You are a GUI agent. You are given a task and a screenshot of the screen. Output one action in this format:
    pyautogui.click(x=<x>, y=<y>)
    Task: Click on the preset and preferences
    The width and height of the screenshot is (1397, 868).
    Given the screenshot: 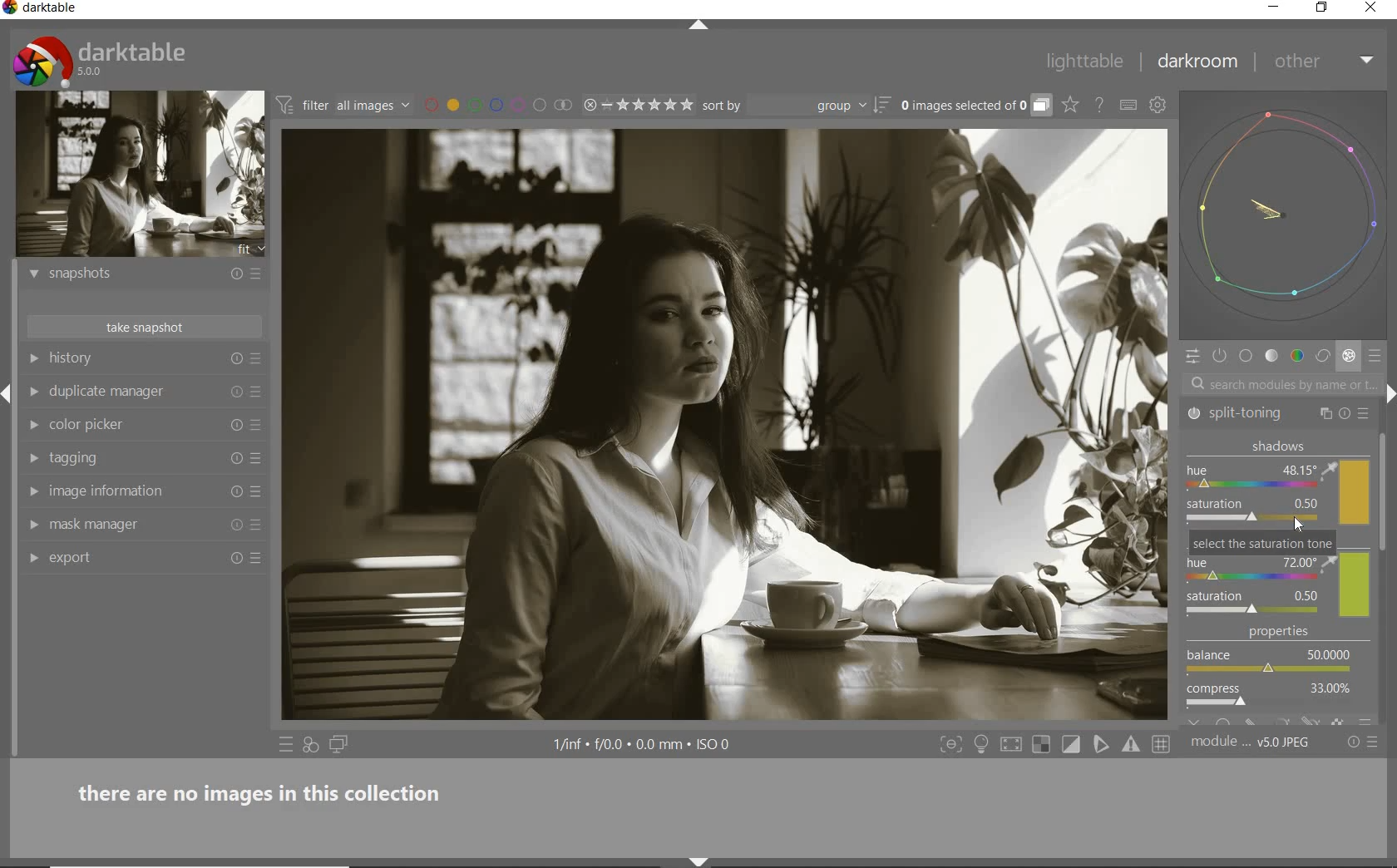 What is the action you would take?
    pyautogui.click(x=257, y=492)
    